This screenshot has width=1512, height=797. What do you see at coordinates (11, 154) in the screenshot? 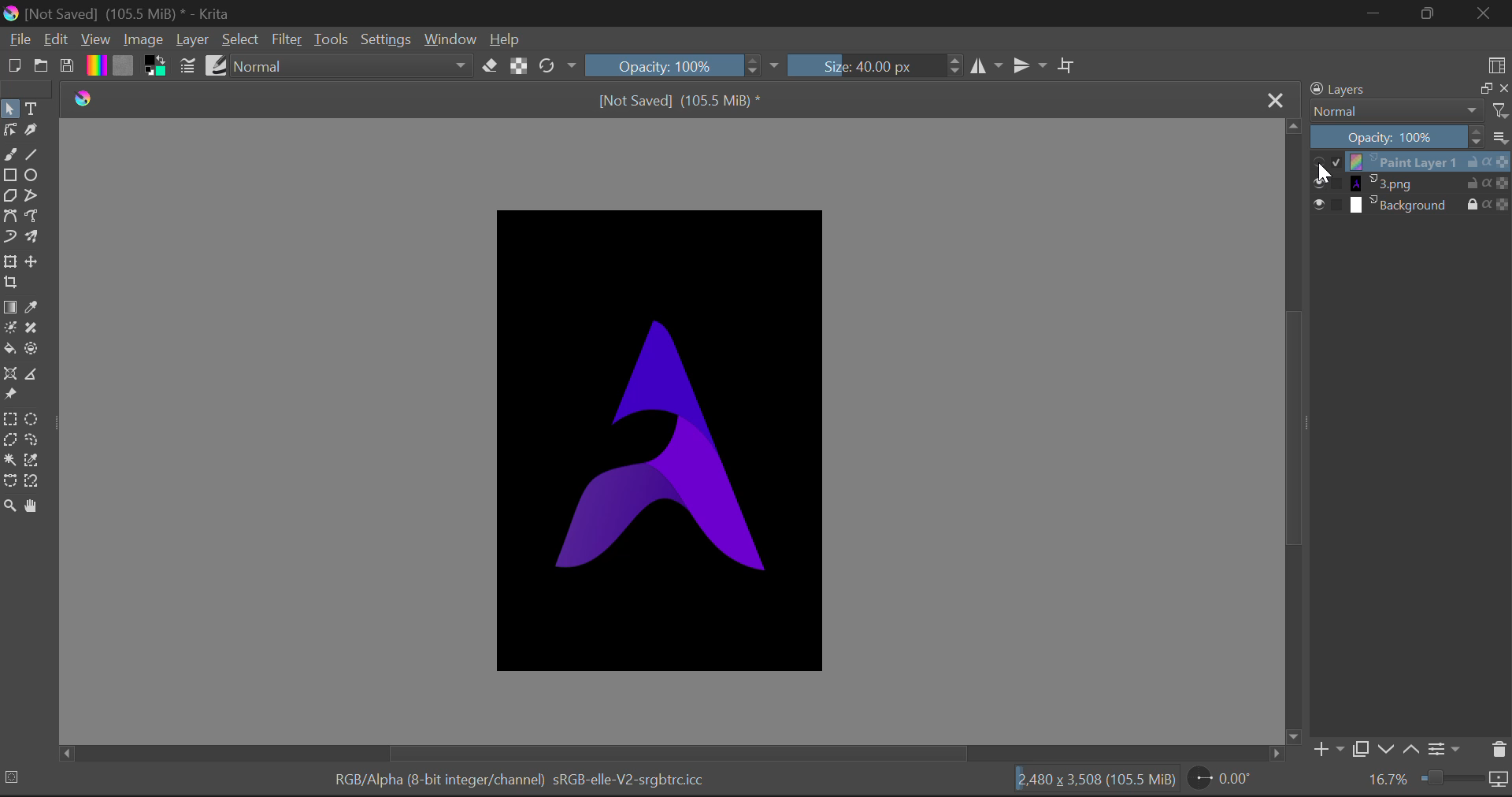
I see `Freehand` at bounding box center [11, 154].